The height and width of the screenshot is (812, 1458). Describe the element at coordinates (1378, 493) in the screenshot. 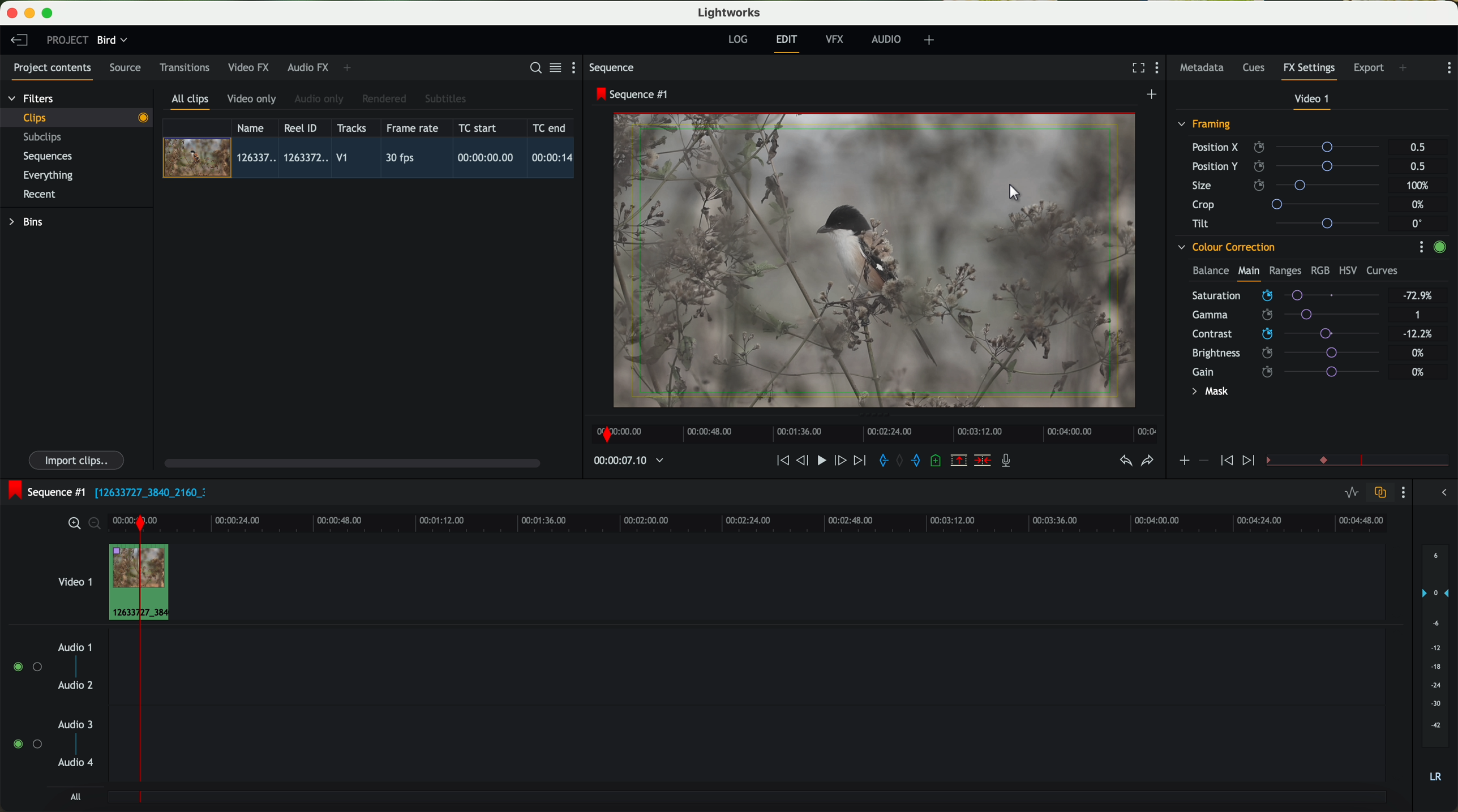

I see `toggle auto track sync` at that location.